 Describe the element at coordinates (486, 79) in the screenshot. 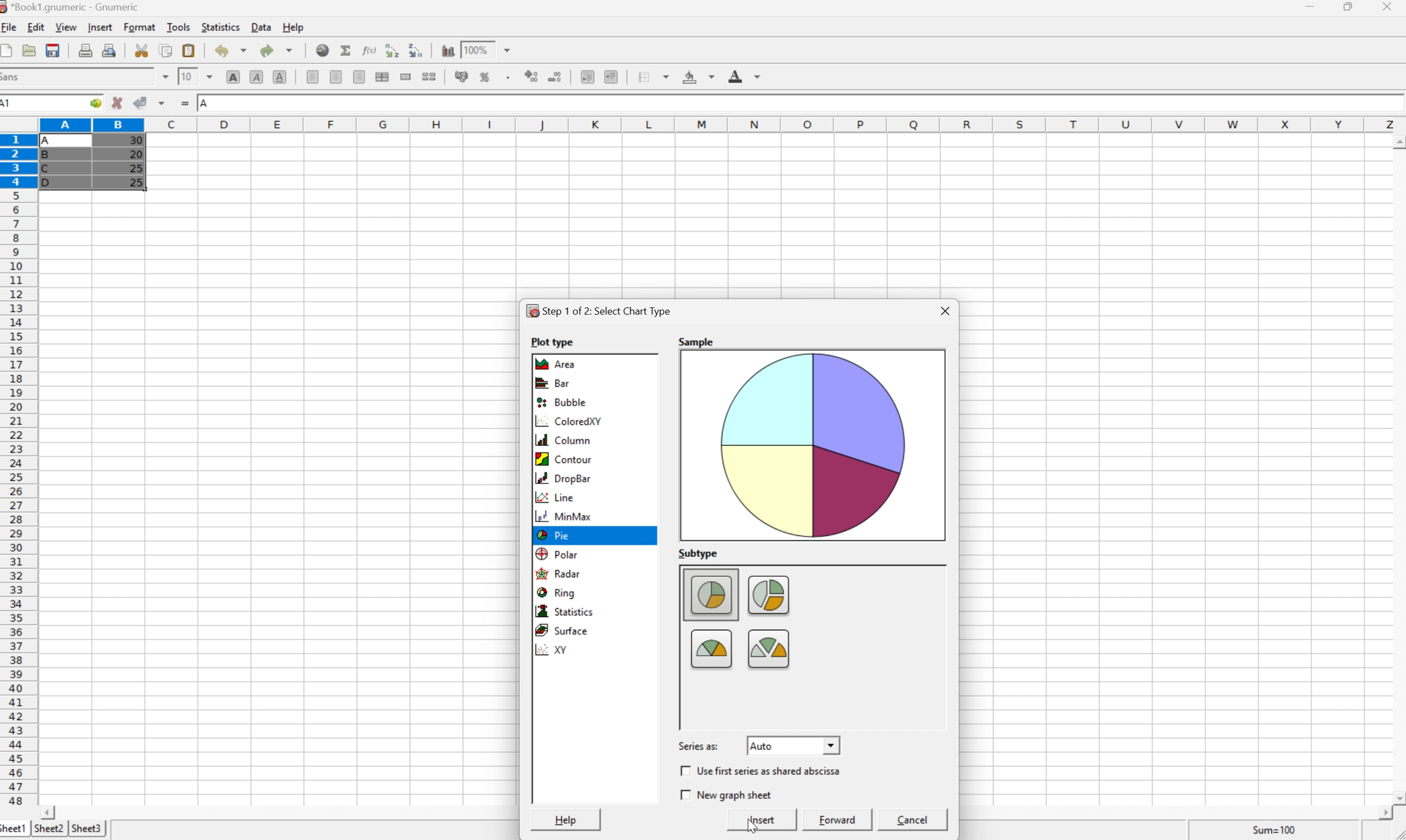

I see `Format selection as percentage` at that location.